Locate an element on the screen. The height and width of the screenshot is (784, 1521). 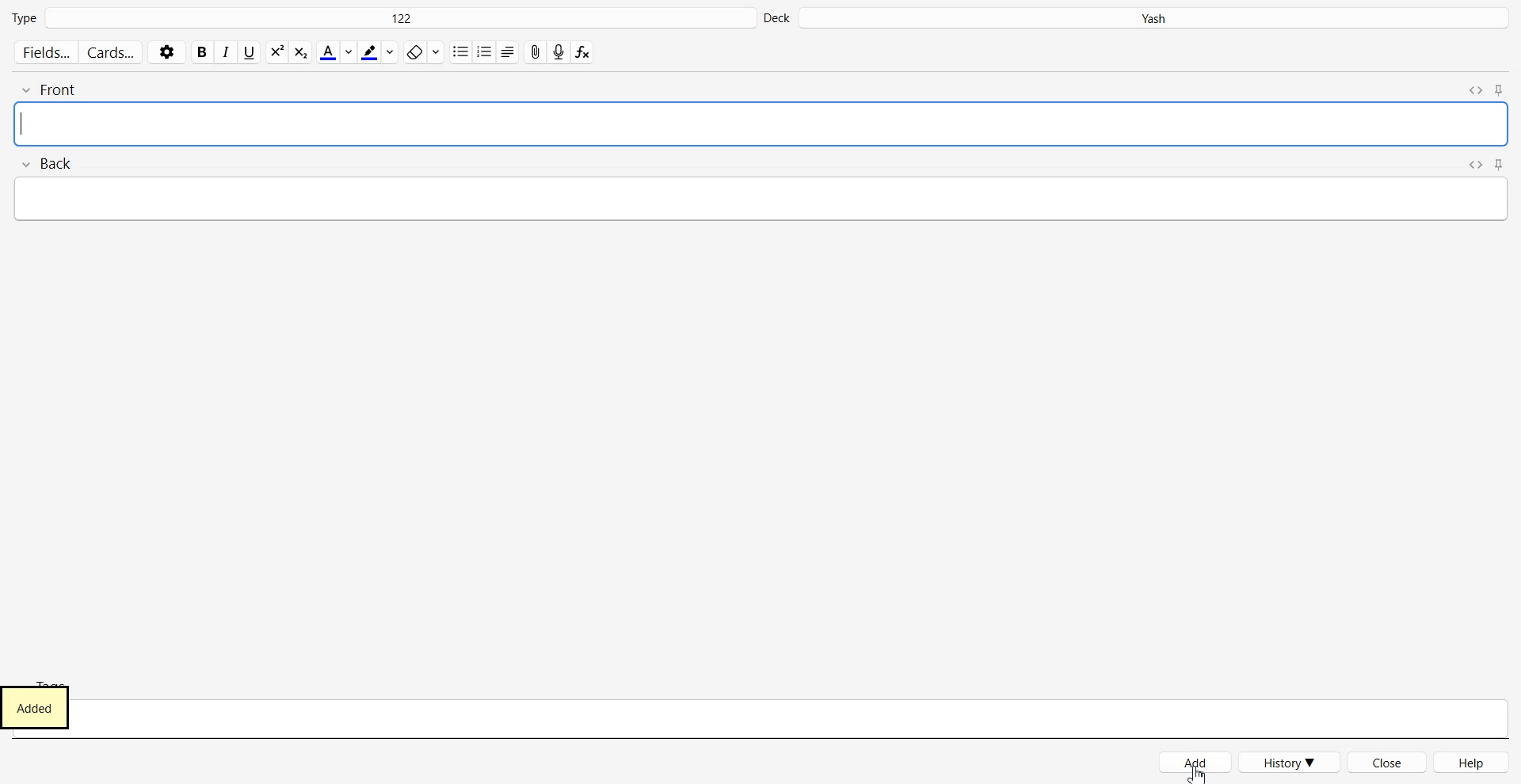
Highlight text color is located at coordinates (378, 52).